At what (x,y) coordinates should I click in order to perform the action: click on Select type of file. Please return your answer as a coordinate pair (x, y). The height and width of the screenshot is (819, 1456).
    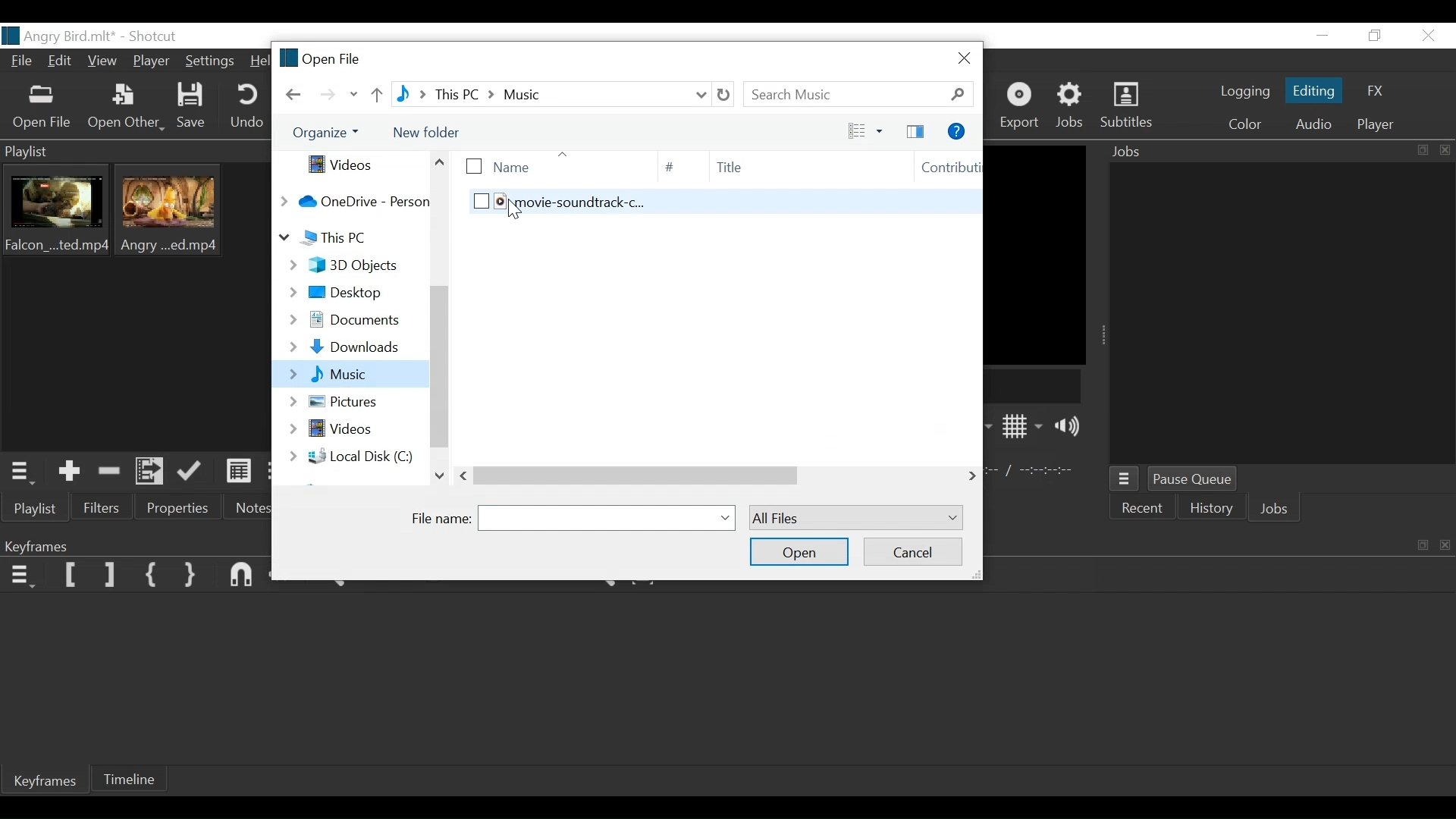
    Looking at the image, I should click on (854, 518).